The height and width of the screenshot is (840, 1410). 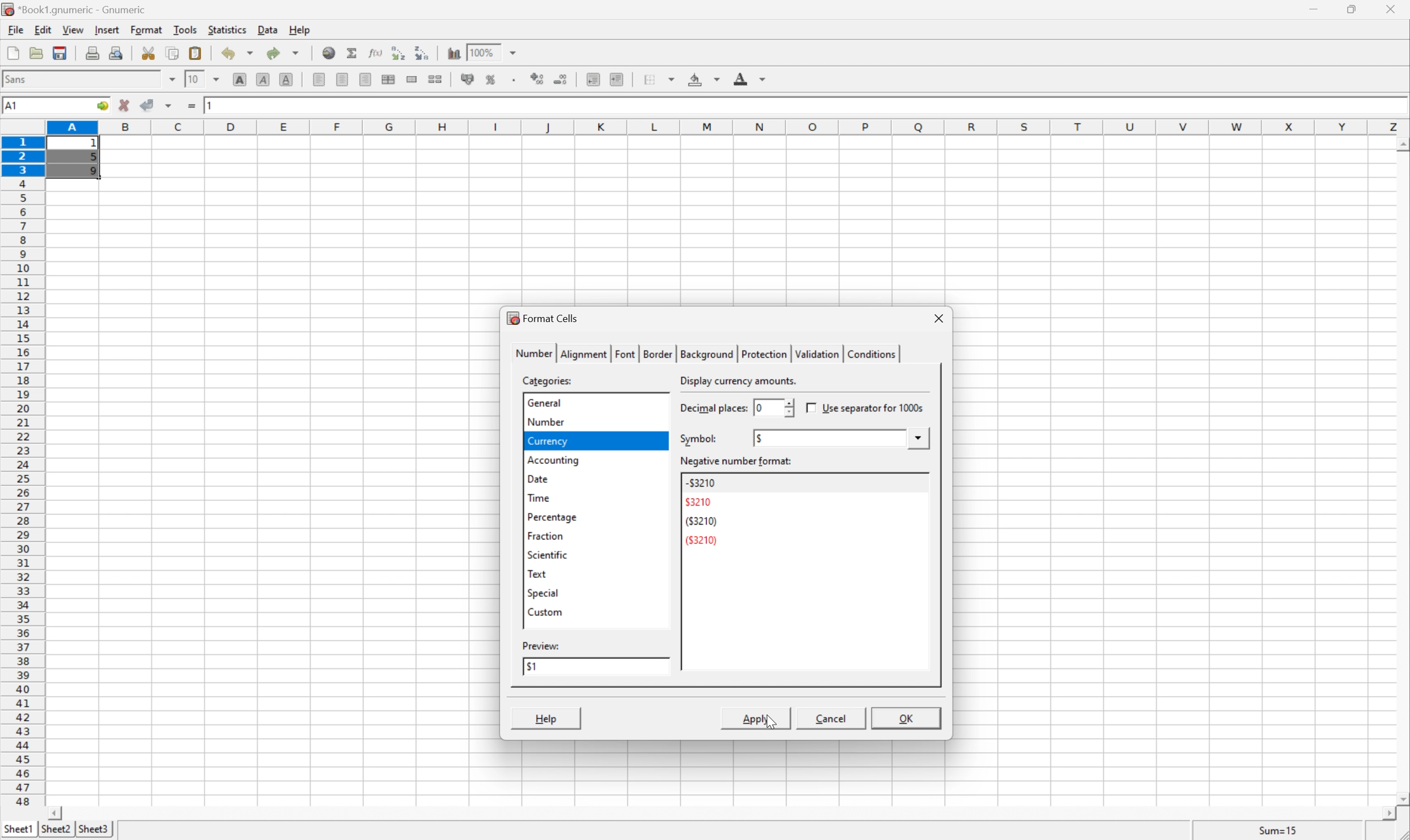 I want to click on help, so click(x=546, y=718).